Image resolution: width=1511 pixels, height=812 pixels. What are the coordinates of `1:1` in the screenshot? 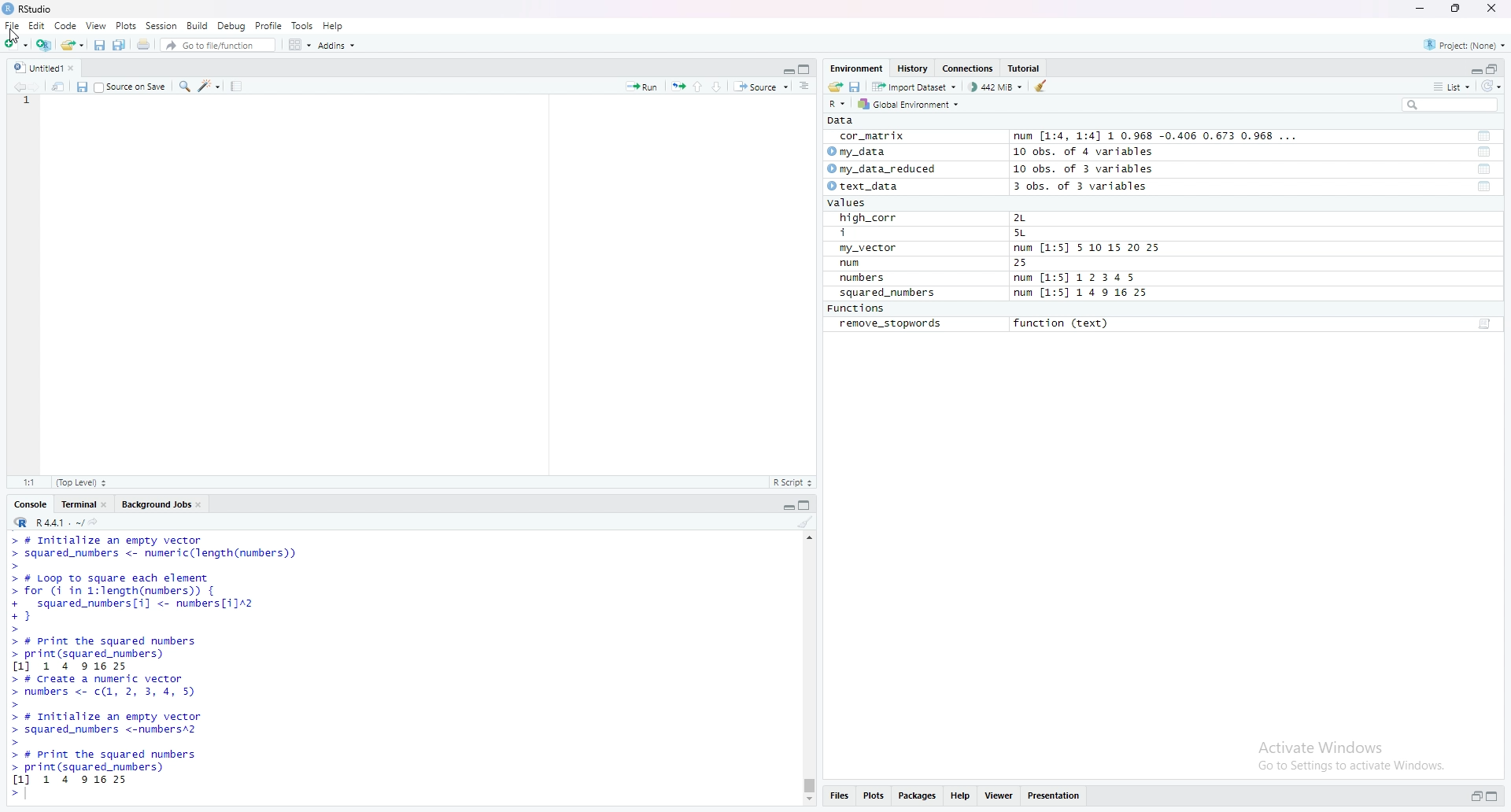 It's located at (25, 482).